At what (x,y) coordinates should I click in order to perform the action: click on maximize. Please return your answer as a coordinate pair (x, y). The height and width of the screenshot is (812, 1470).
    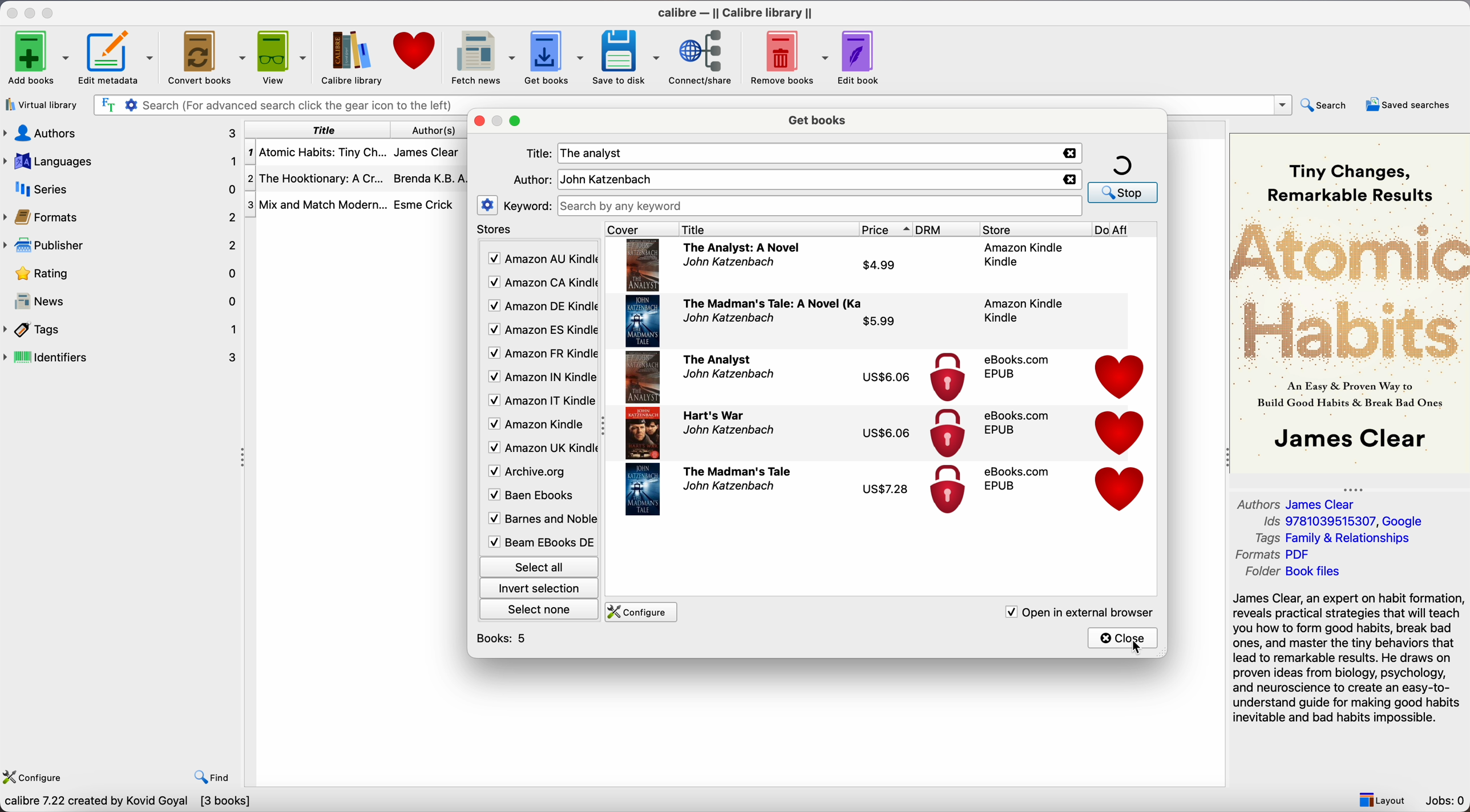
    Looking at the image, I should click on (515, 123).